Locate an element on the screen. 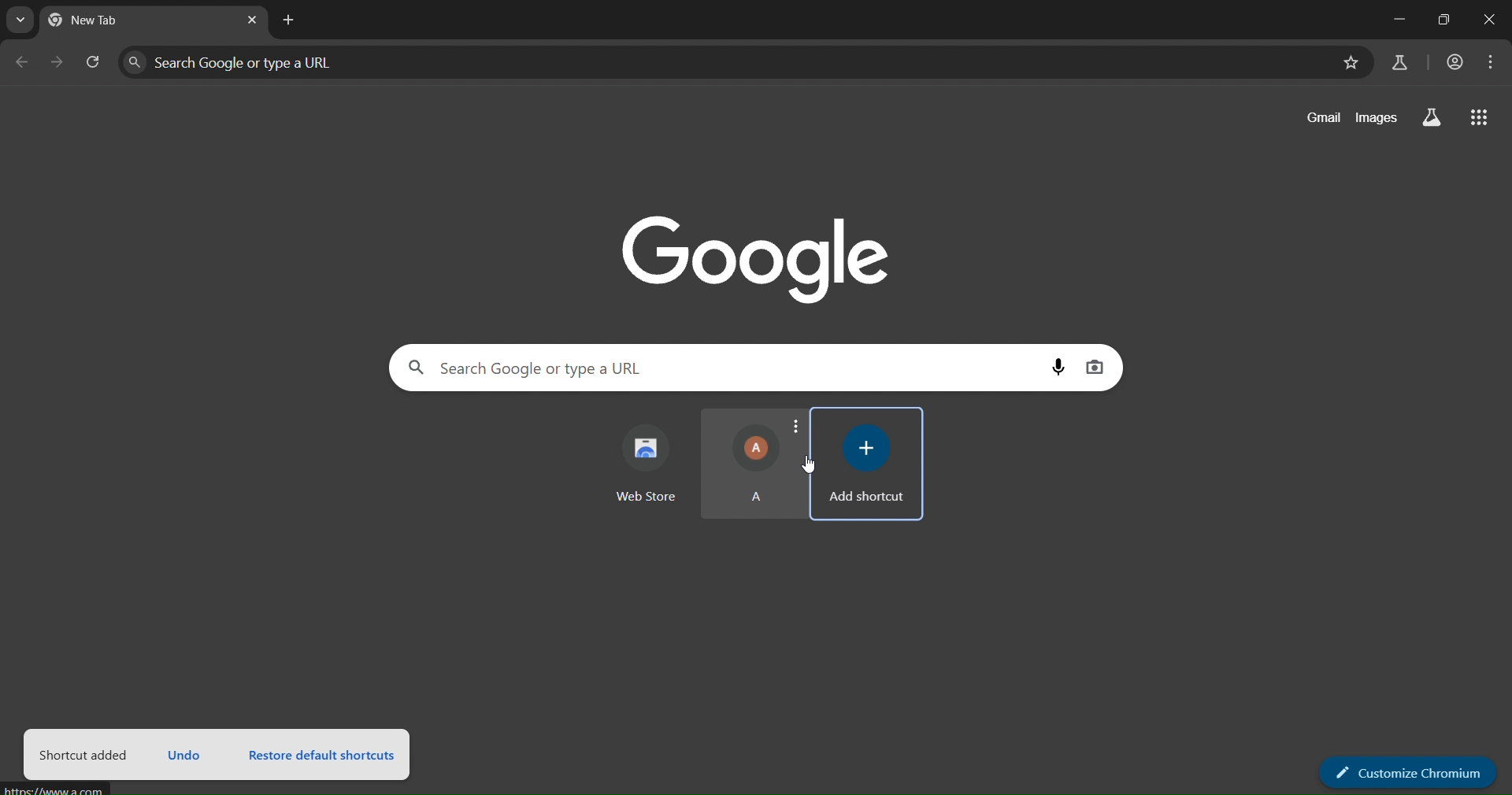  close is located at coordinates (1488, 20).